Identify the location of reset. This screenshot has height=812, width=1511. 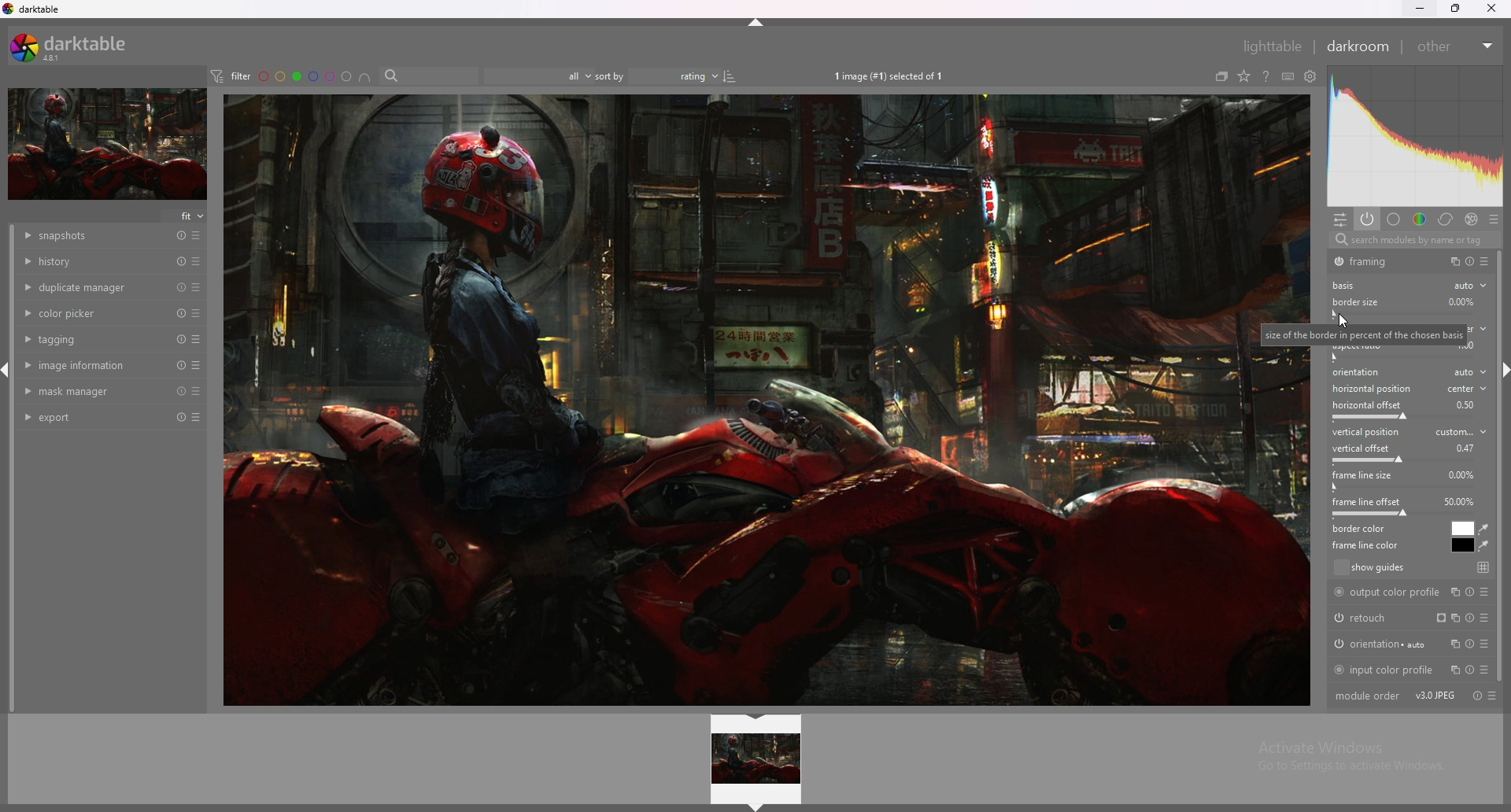
(181, 391).